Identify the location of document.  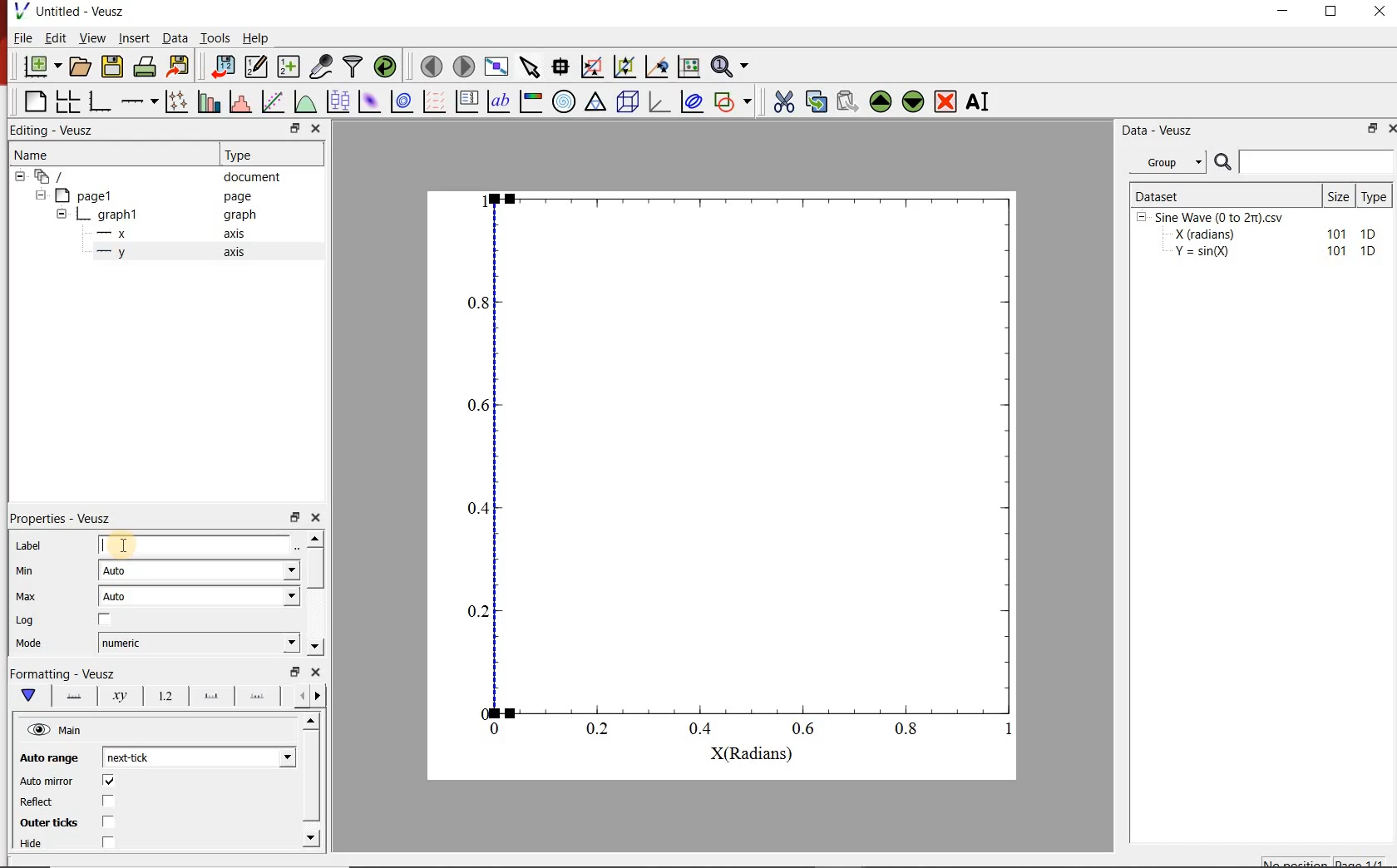
(253, 177).